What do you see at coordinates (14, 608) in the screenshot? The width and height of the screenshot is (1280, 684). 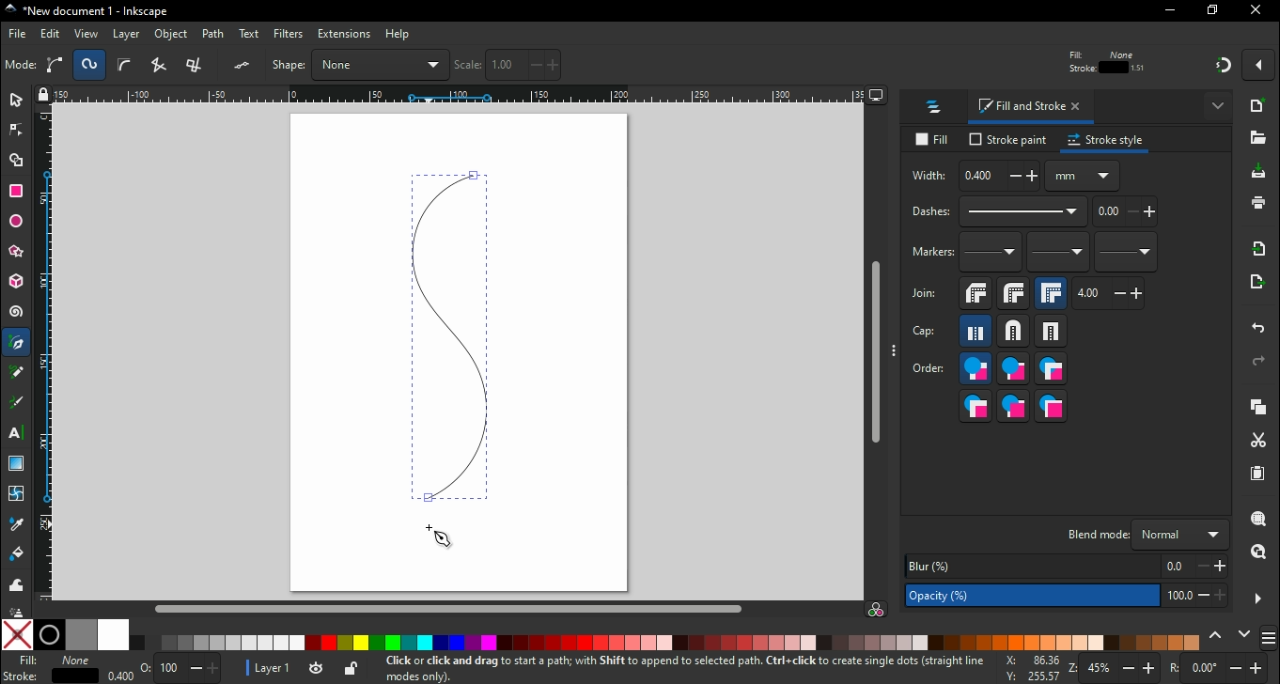 I see `` at bounding box center [14, 608].